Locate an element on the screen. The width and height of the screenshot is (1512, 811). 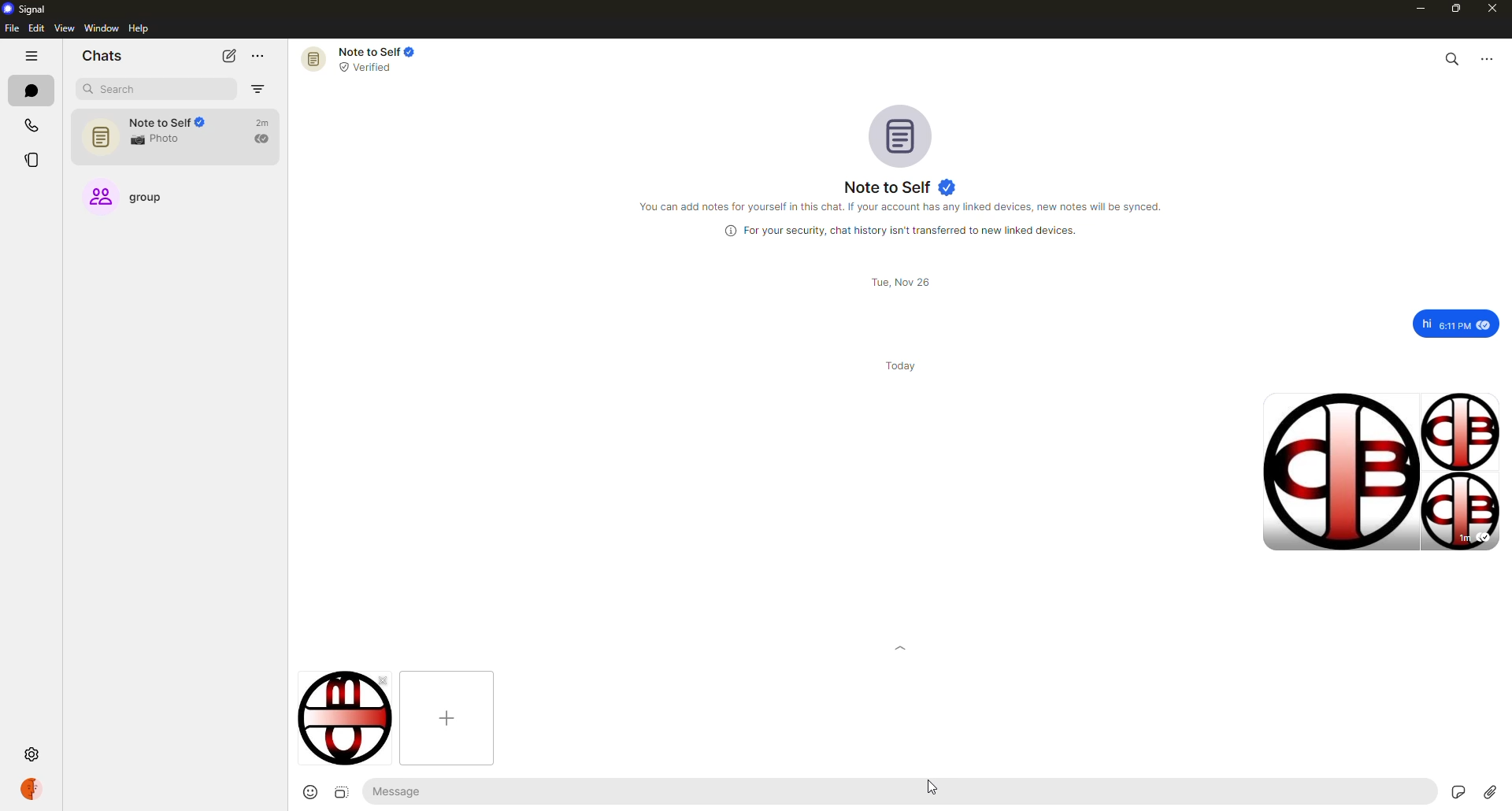
images is located at coordinates (1380, 470).